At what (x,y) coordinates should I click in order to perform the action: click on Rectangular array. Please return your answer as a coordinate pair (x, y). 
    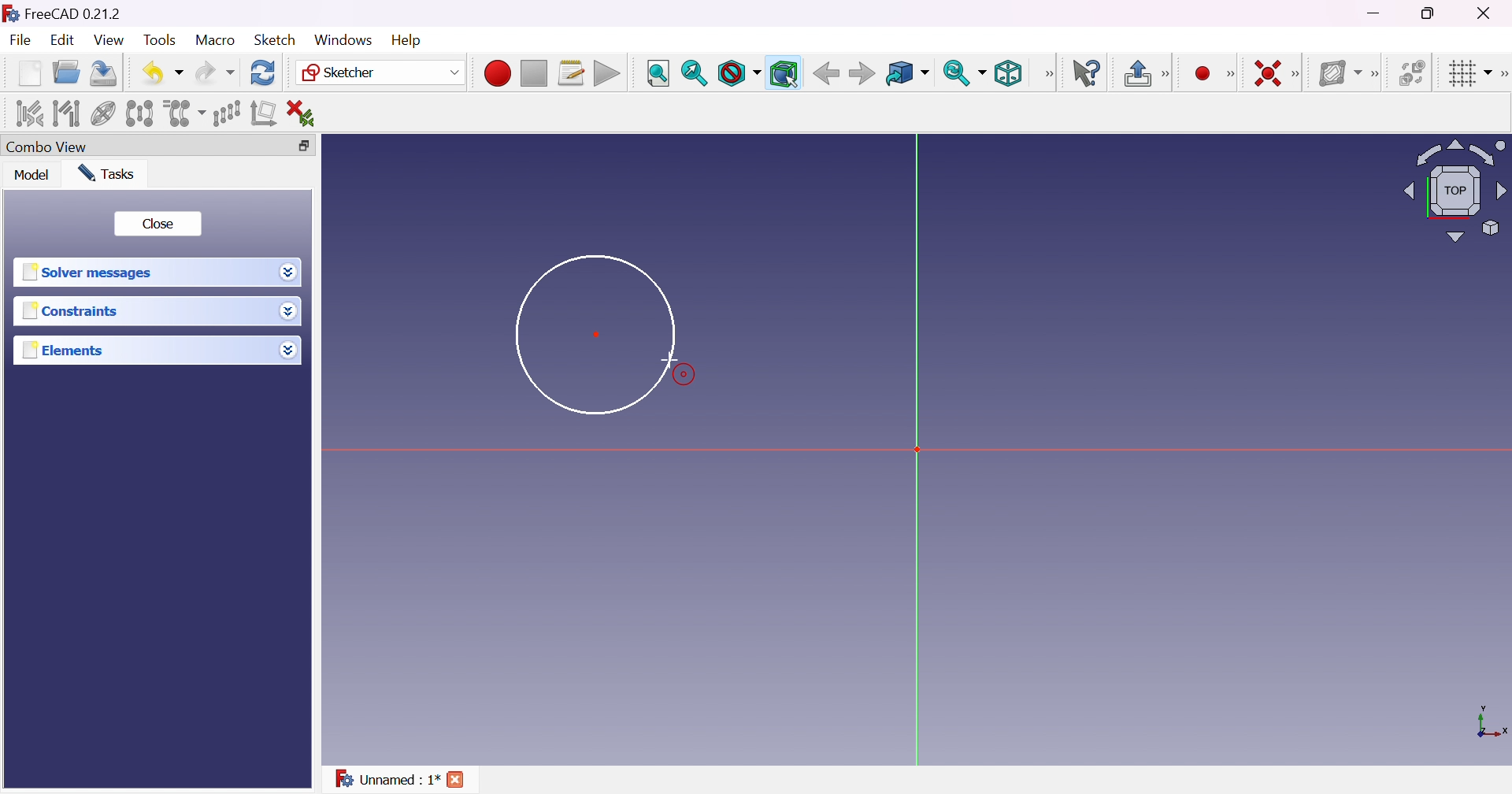
    Looking at the image, I should click on (225, 113).